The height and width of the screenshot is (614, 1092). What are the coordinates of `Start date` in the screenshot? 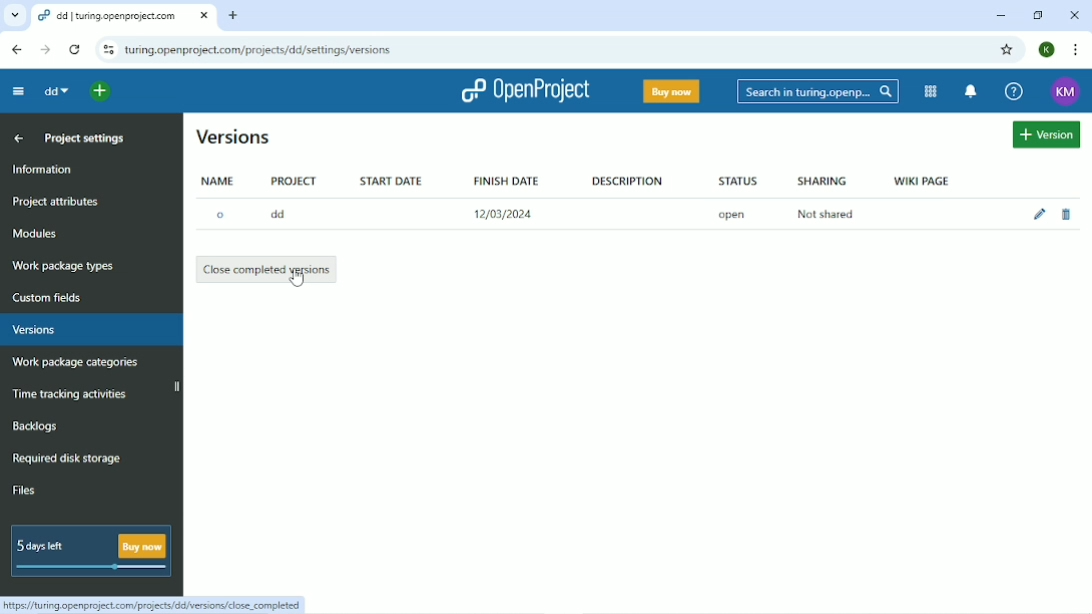 It's located at (392, 180).